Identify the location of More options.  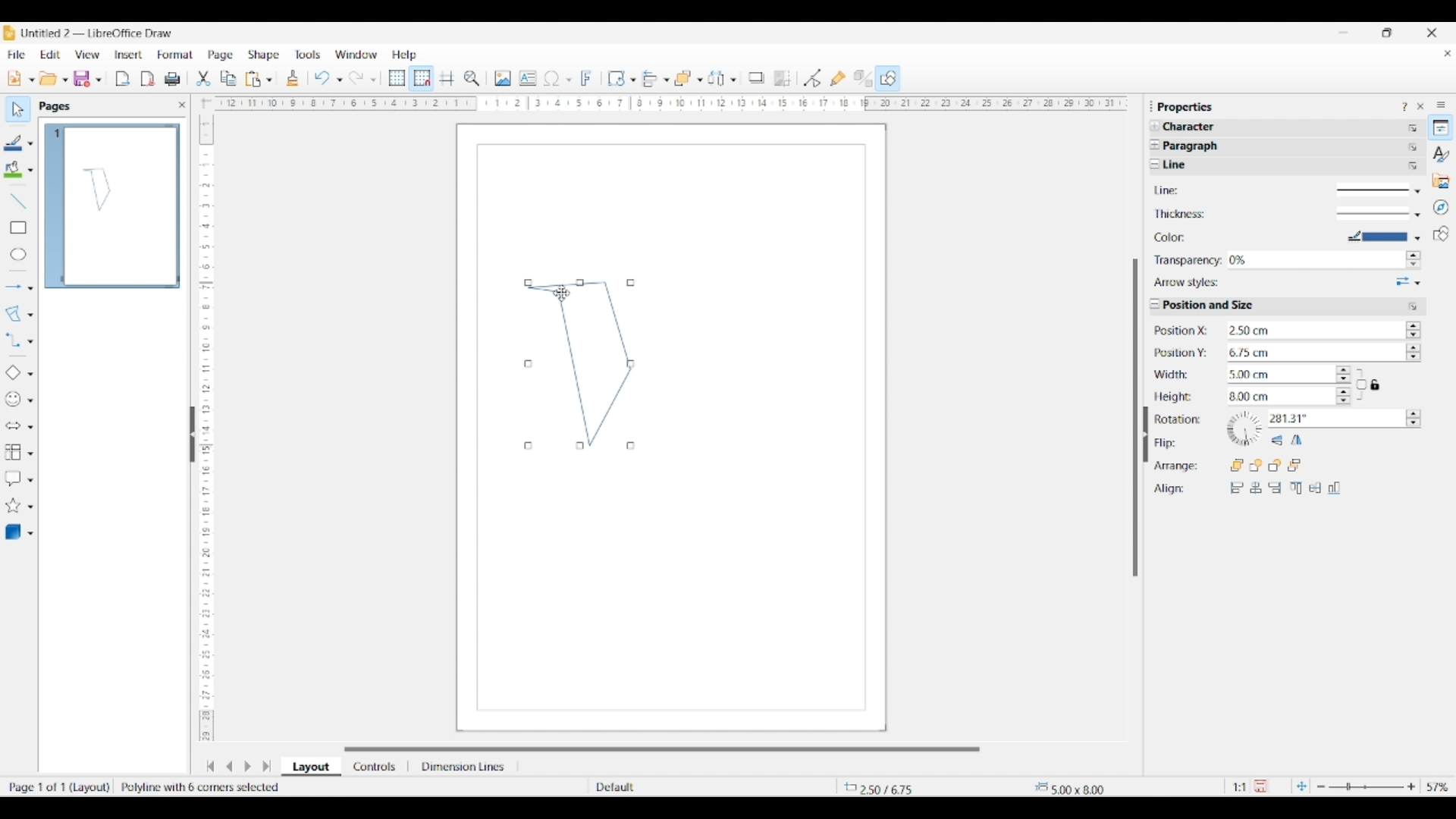
(1414, 167).